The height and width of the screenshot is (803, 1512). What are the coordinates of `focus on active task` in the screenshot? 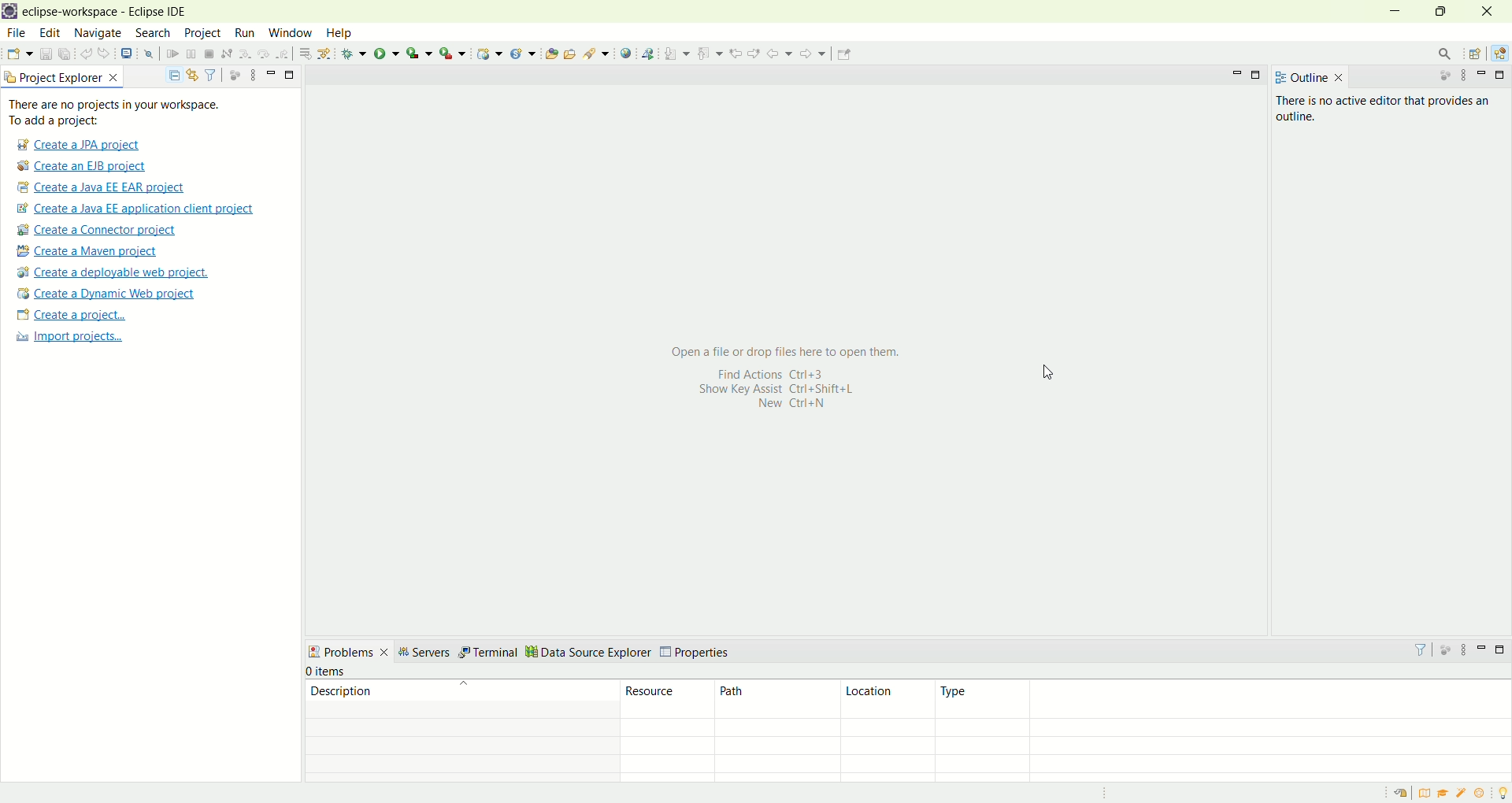 It's located at (234, 73).